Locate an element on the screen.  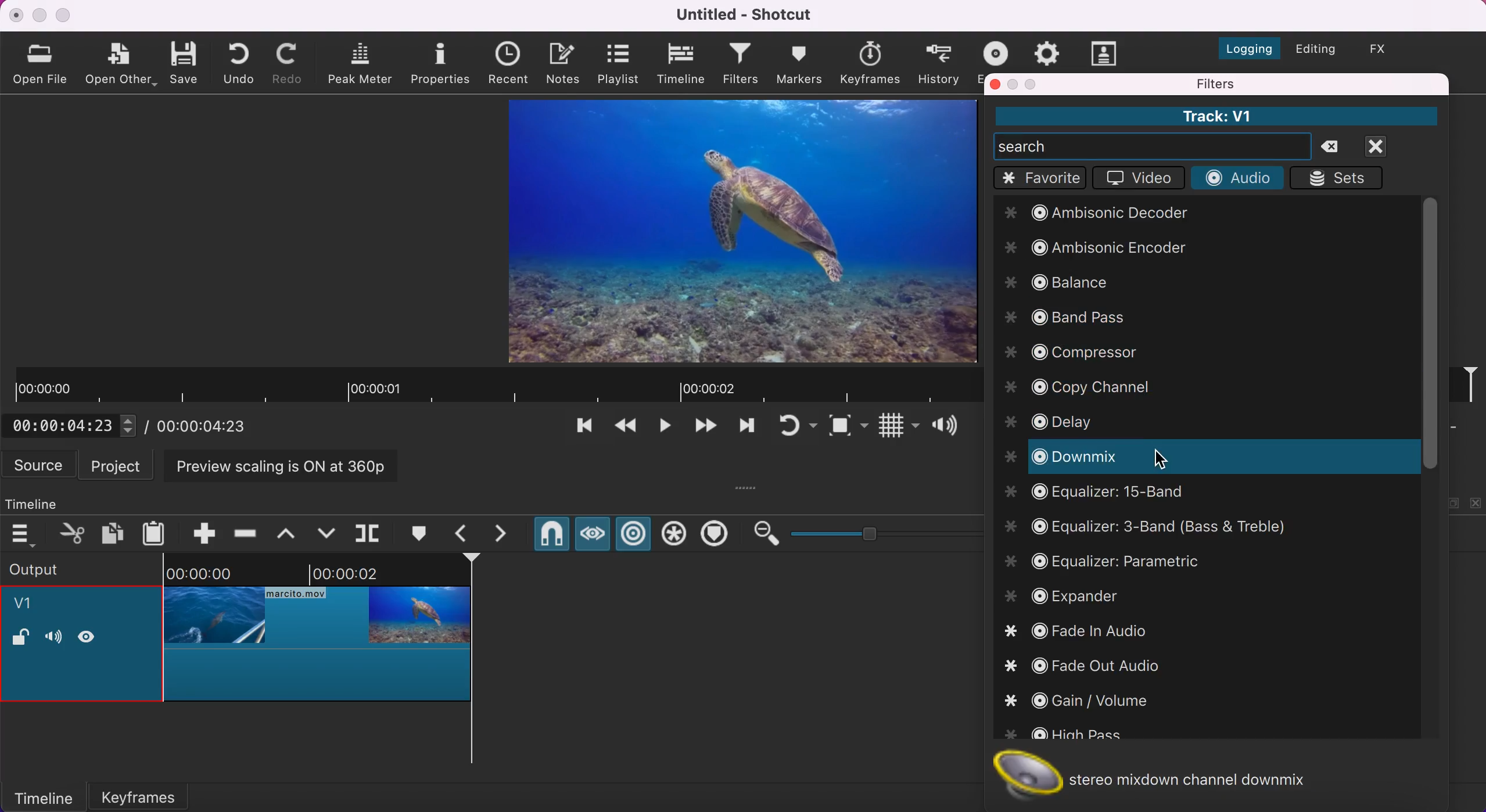
video is located at coordinates (1136, 180).